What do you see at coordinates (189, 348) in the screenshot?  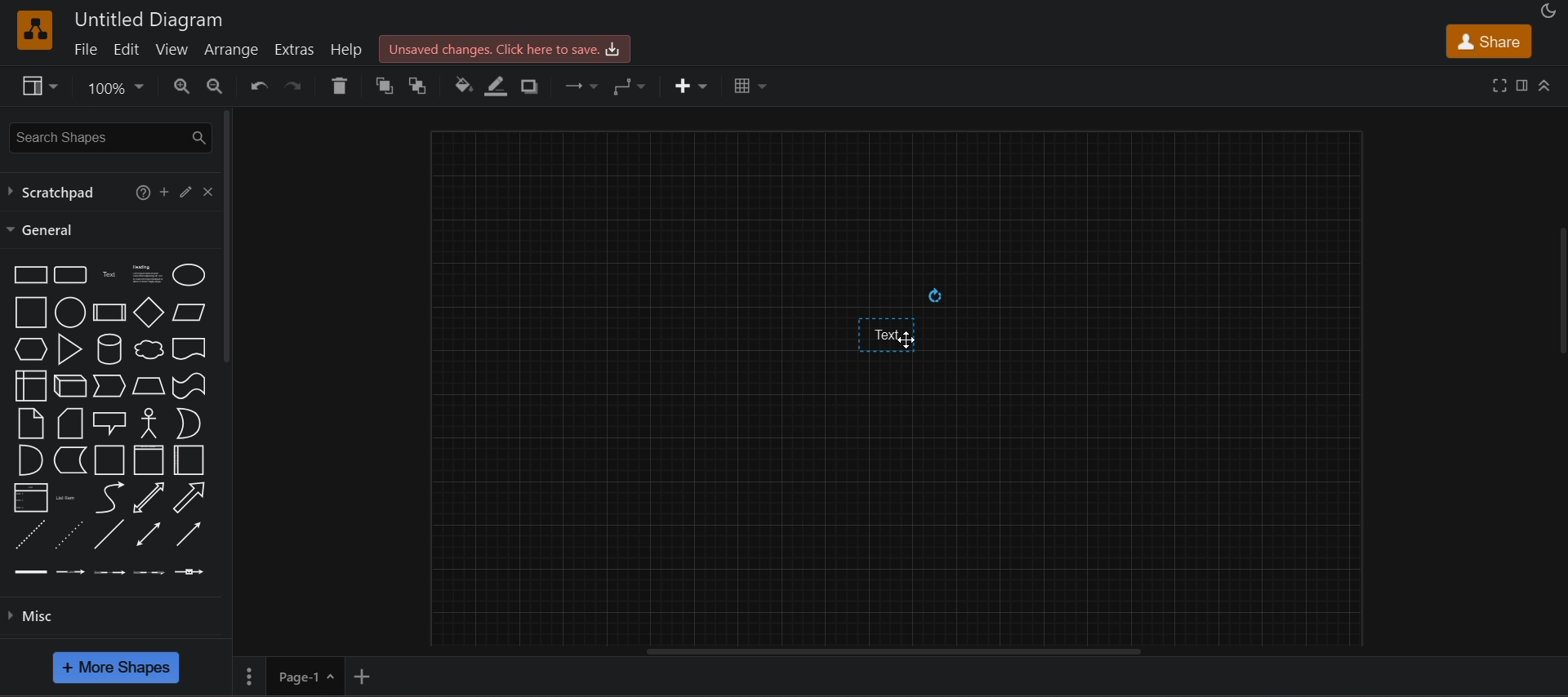 I see `Document` at bounding box center [189, 348].